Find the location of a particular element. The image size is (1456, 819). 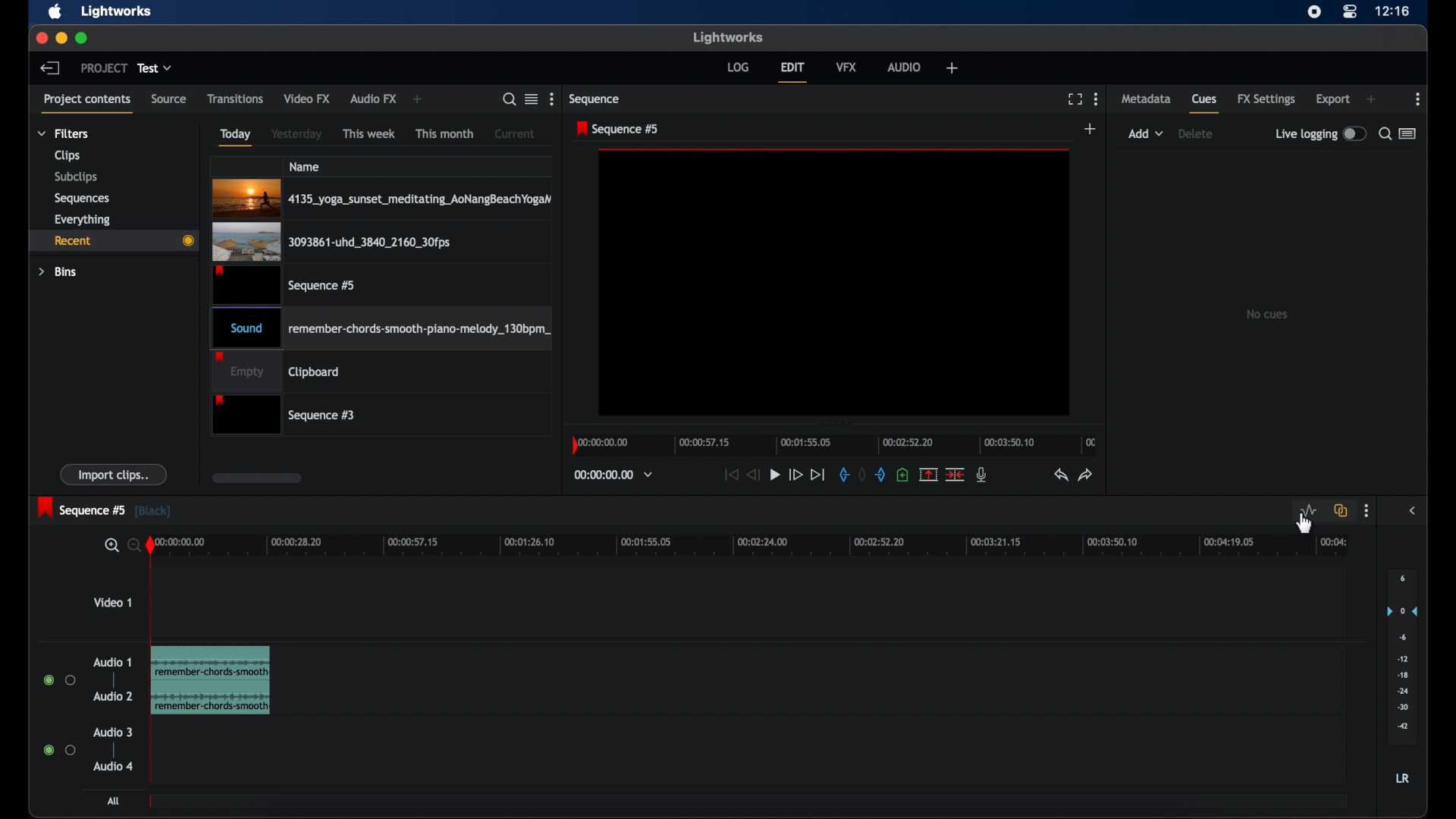

timeline is located at coordinates (837, 444).